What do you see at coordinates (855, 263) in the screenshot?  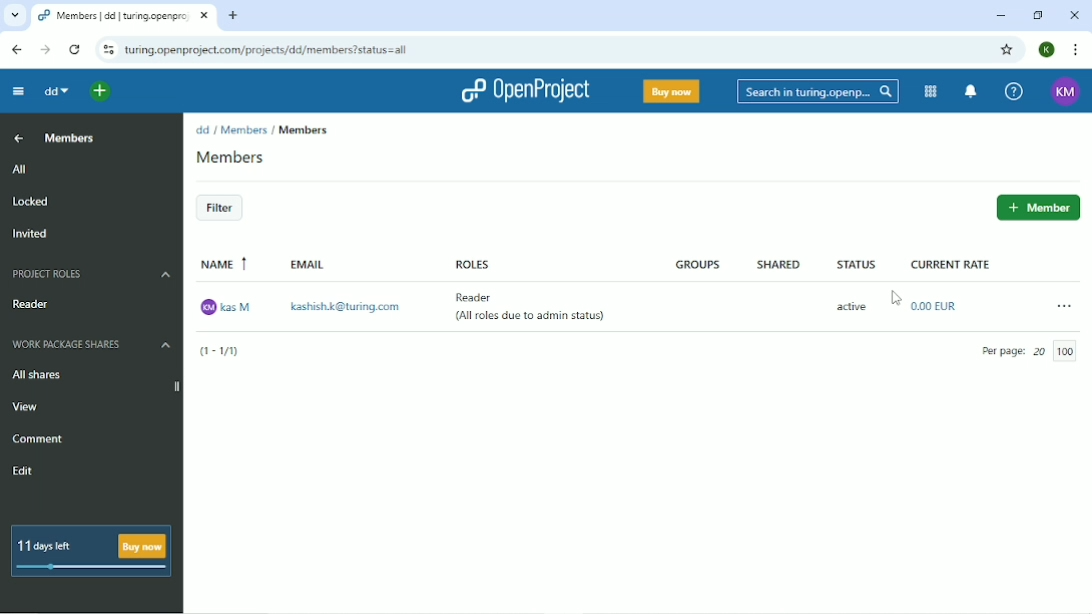 I see `Status` at bounding box center [855, 263].